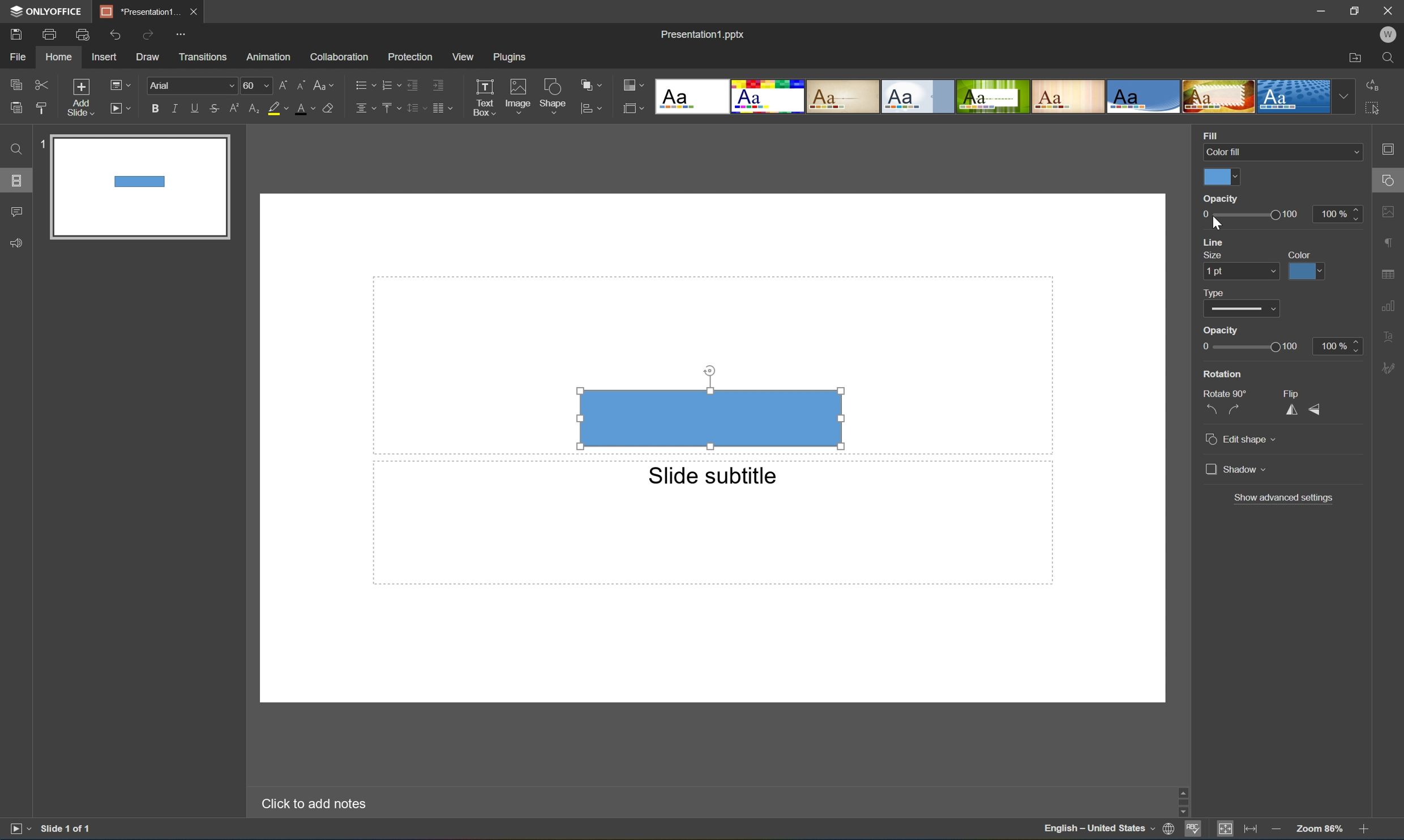  What do you see at coordinates (1360, 803) in the screenshot?
I see `Scroll Bar` at bounding box center [1360, 803].